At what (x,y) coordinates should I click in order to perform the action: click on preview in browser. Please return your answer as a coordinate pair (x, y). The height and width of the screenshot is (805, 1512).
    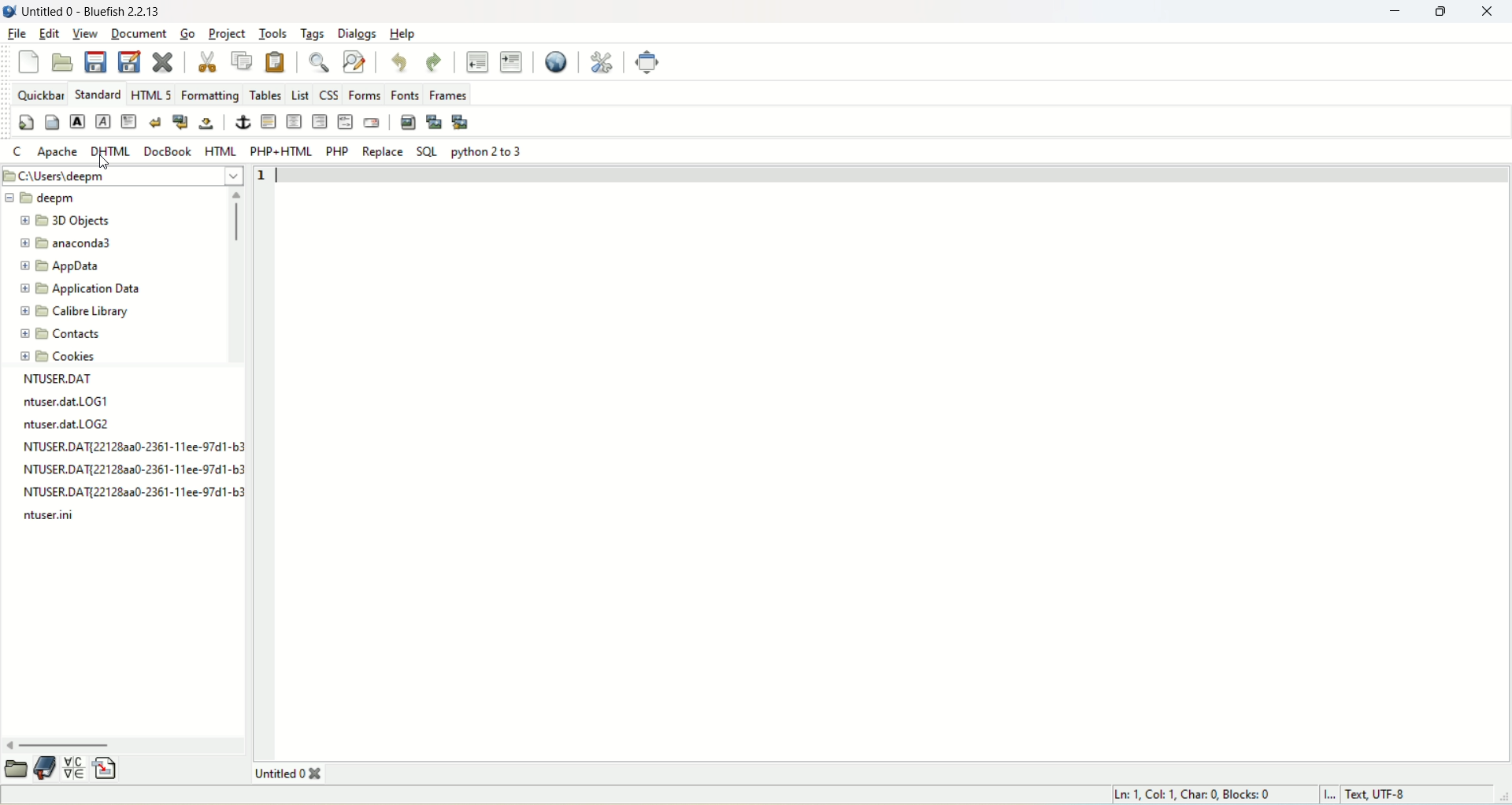
    Looking at the image, I should click on (550, 63).